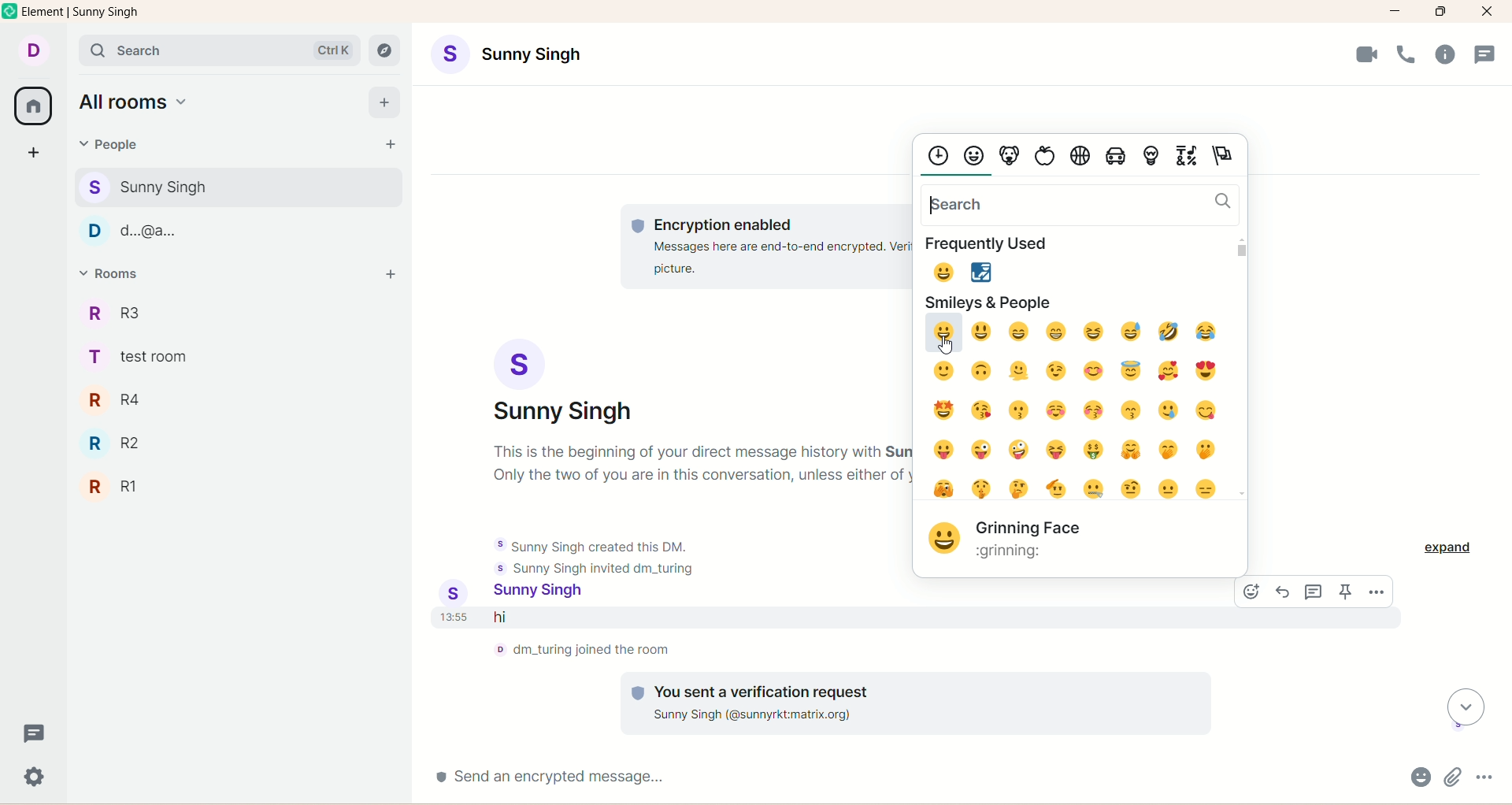 The height and width of the screenshot is (805, 1512). I want to click on time, so click(455, 617).